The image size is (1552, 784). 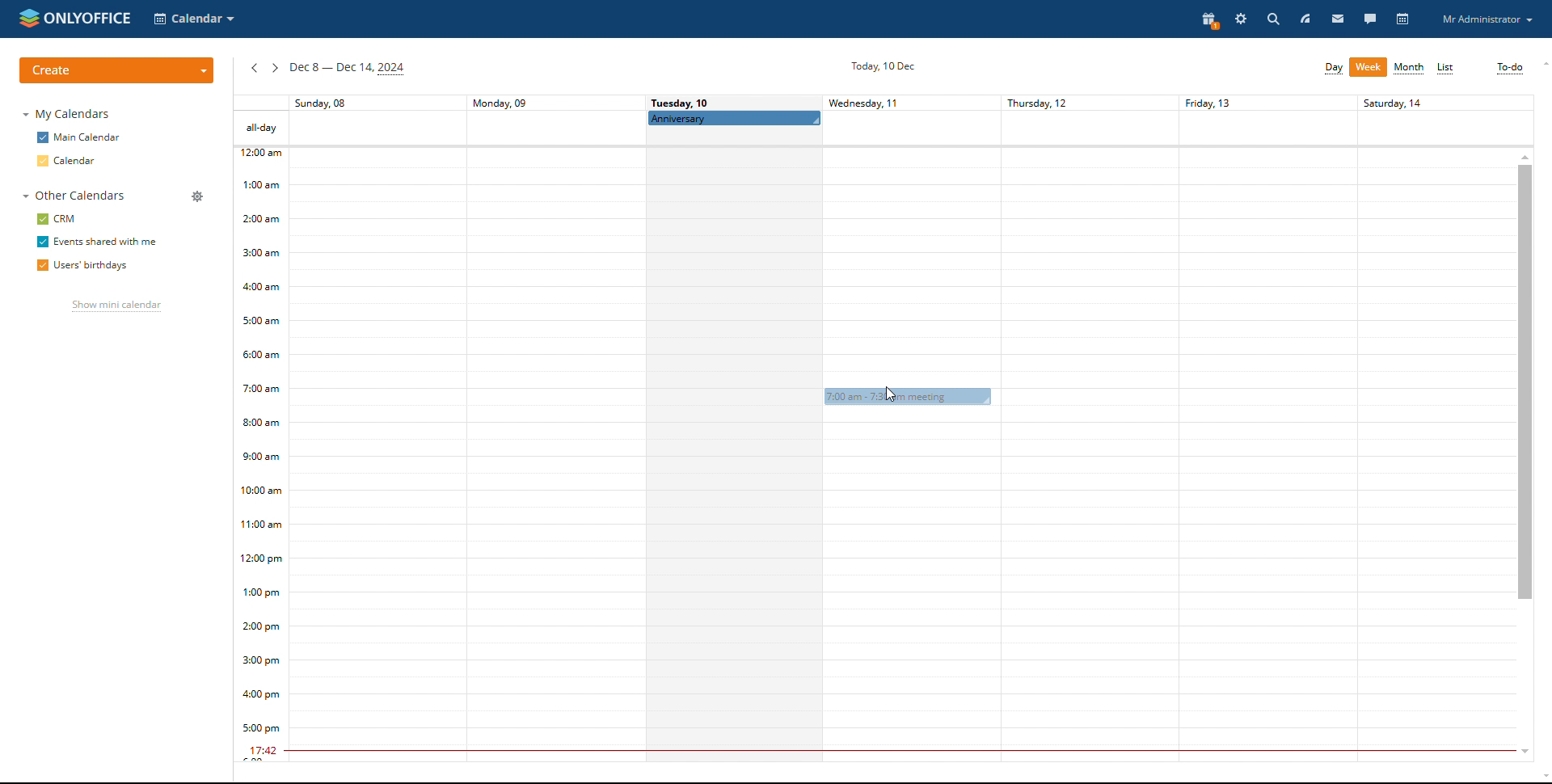 I want to click on previous week, so click(x=254, y=70).